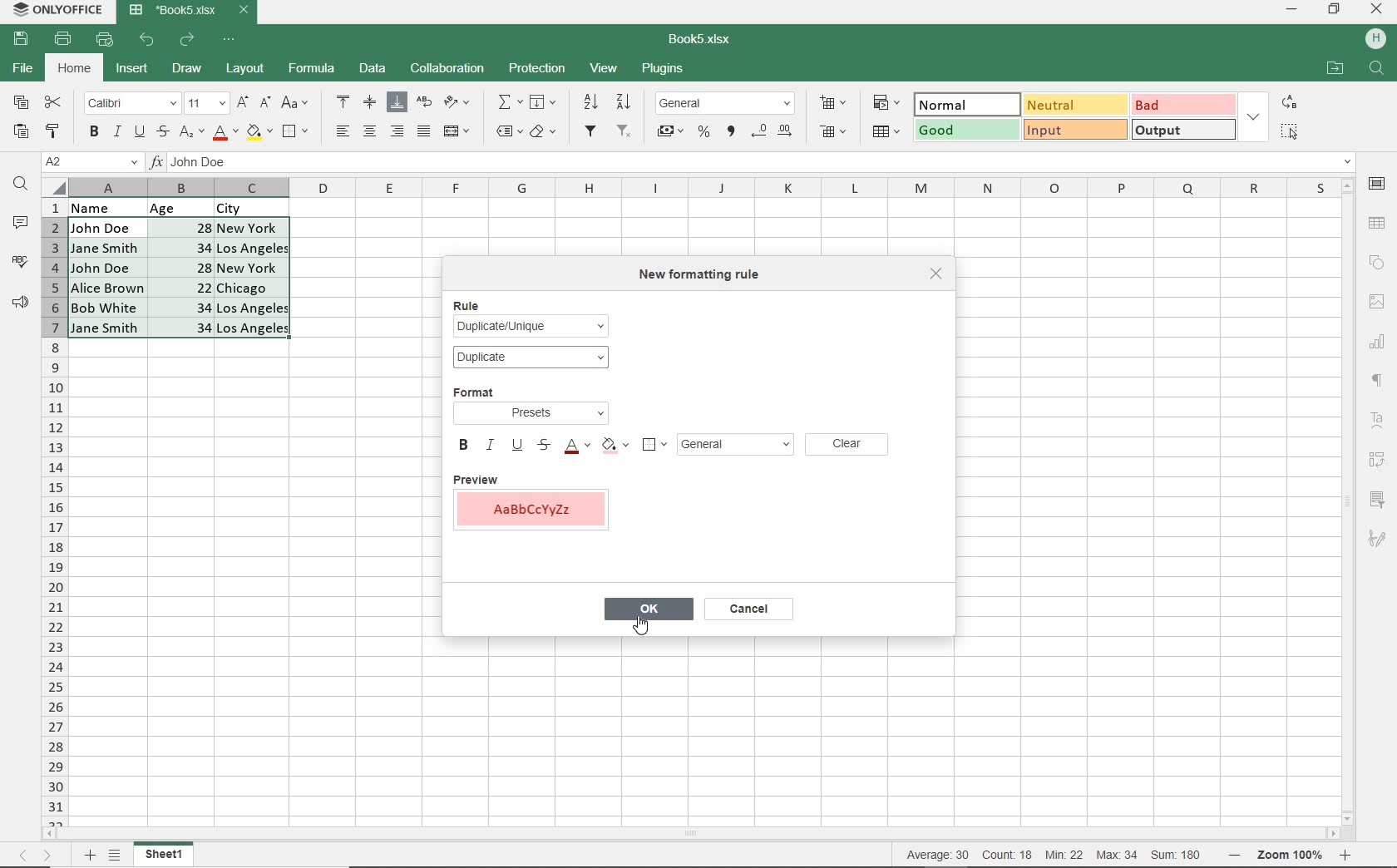 The image size is (1397, 868). Describe the element at coordinates (373, 70) in the screenshot. I see `DATA` at that location.